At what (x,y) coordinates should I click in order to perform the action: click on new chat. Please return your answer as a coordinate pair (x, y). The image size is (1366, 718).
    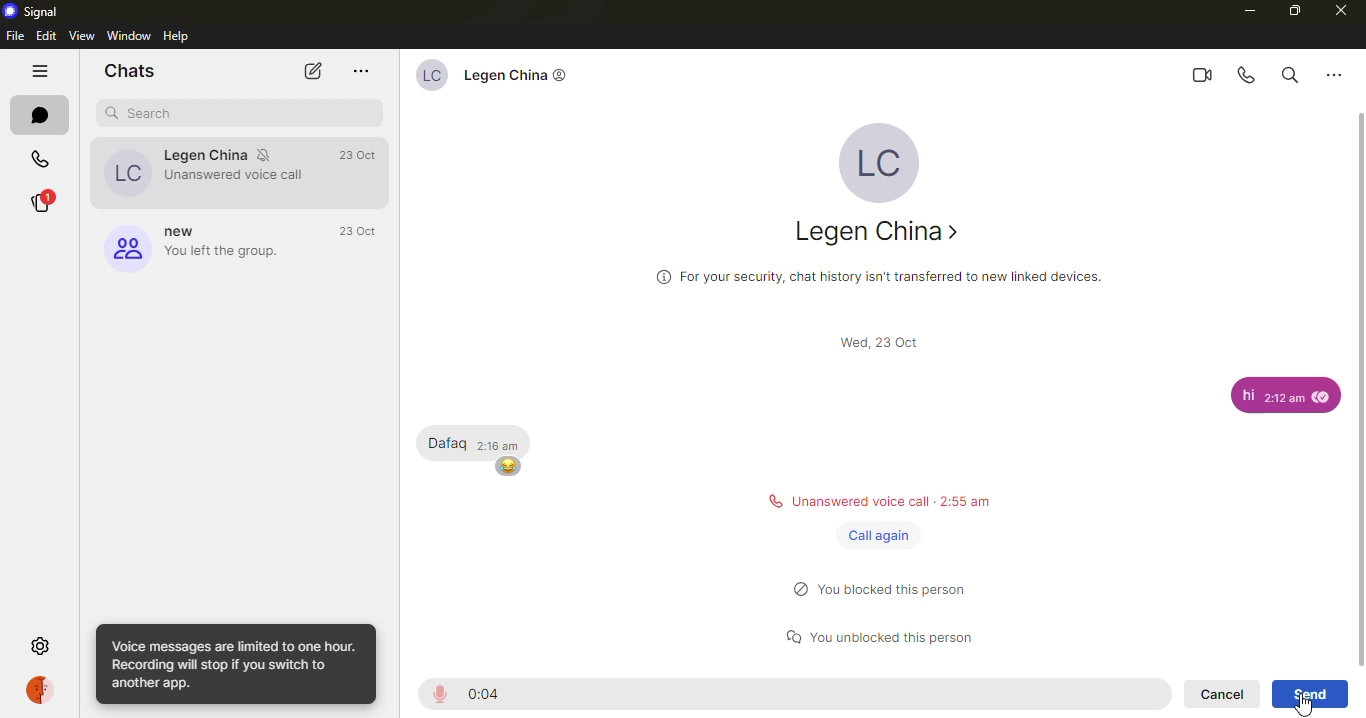
    Looking at the image, I should click on (315, 71).